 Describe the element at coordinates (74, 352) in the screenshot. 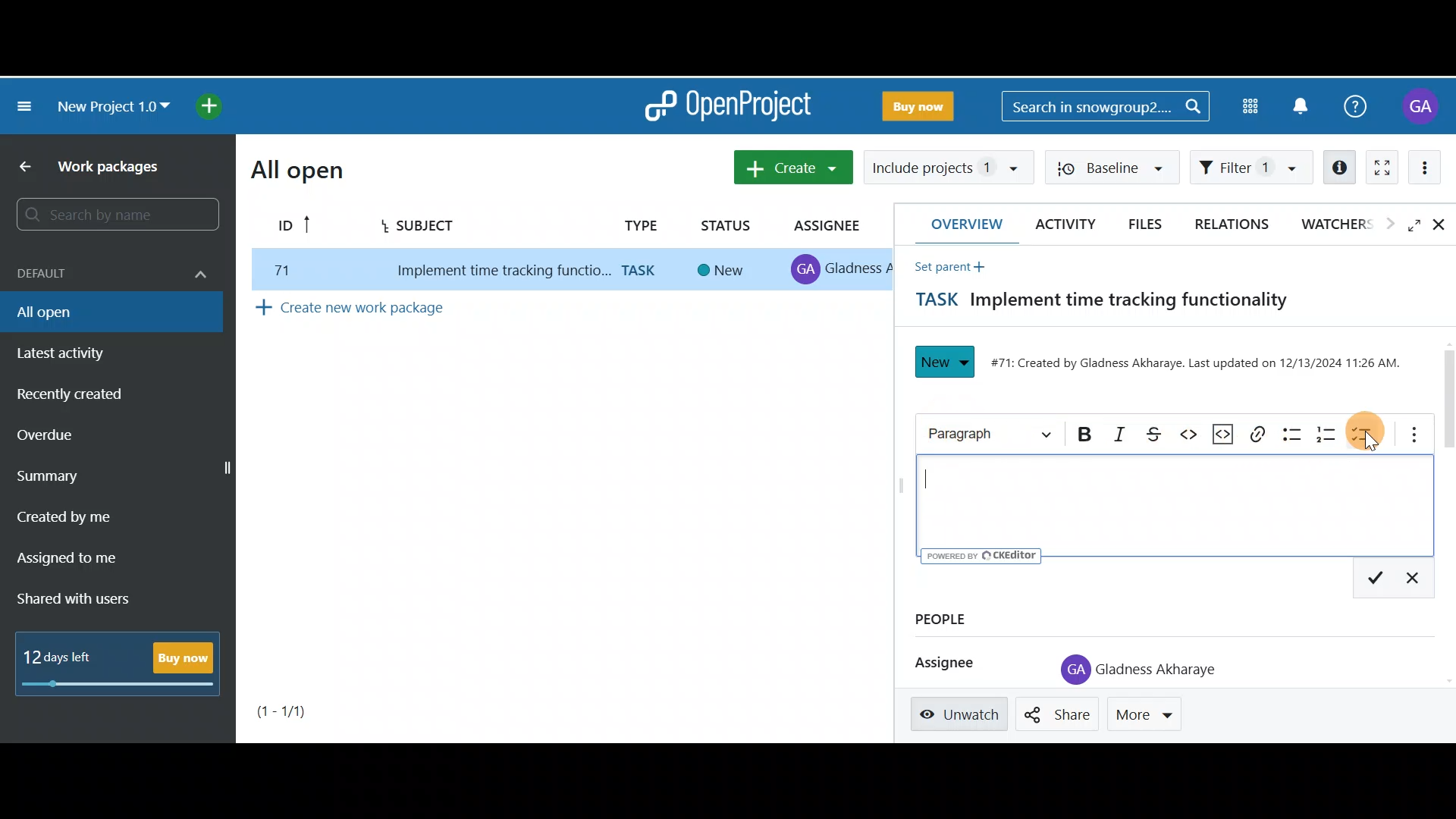

I see `Latest activity` at that location.